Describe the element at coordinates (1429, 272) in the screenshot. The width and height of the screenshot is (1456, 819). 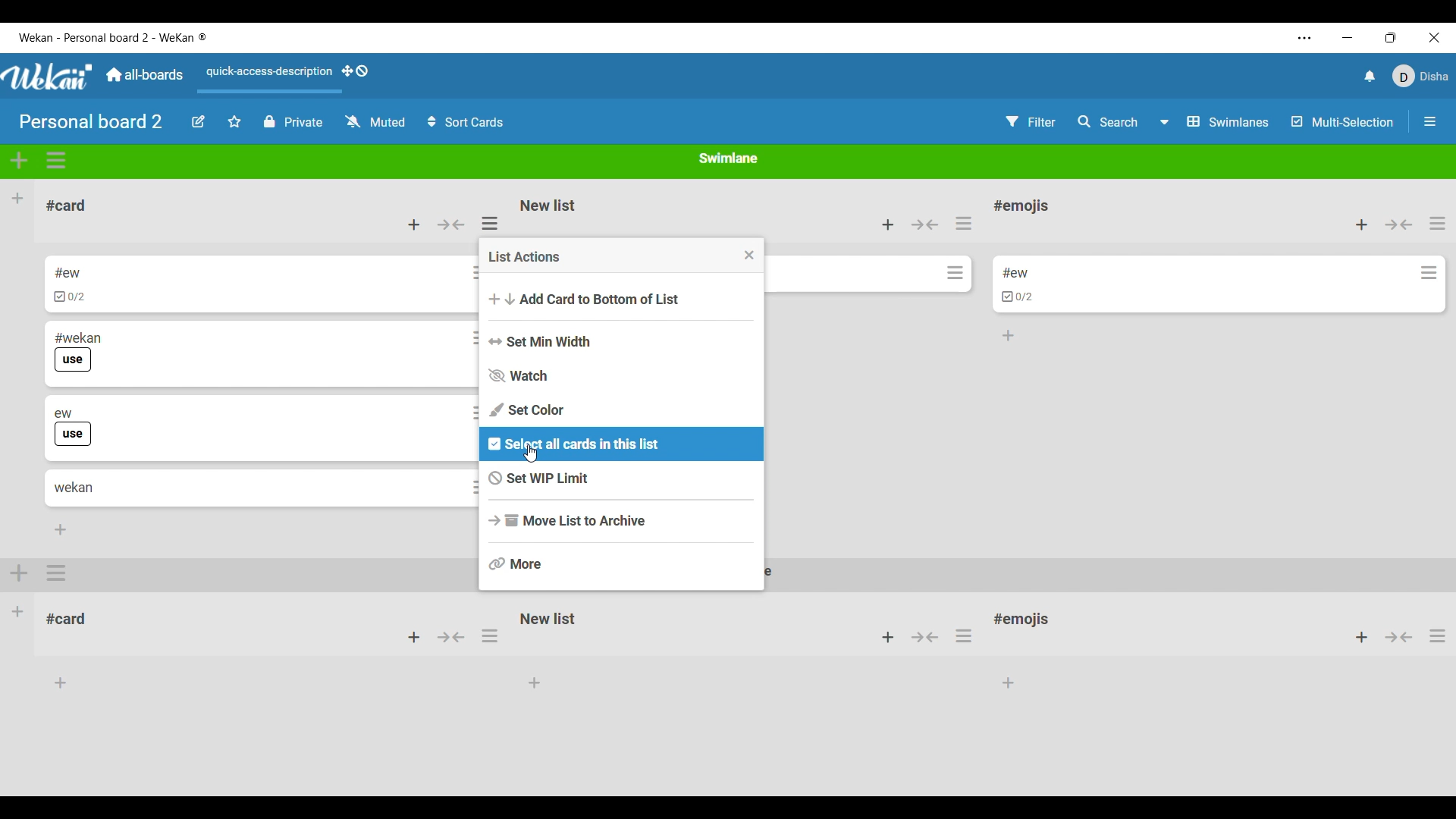
I see `Card actions` at that location.